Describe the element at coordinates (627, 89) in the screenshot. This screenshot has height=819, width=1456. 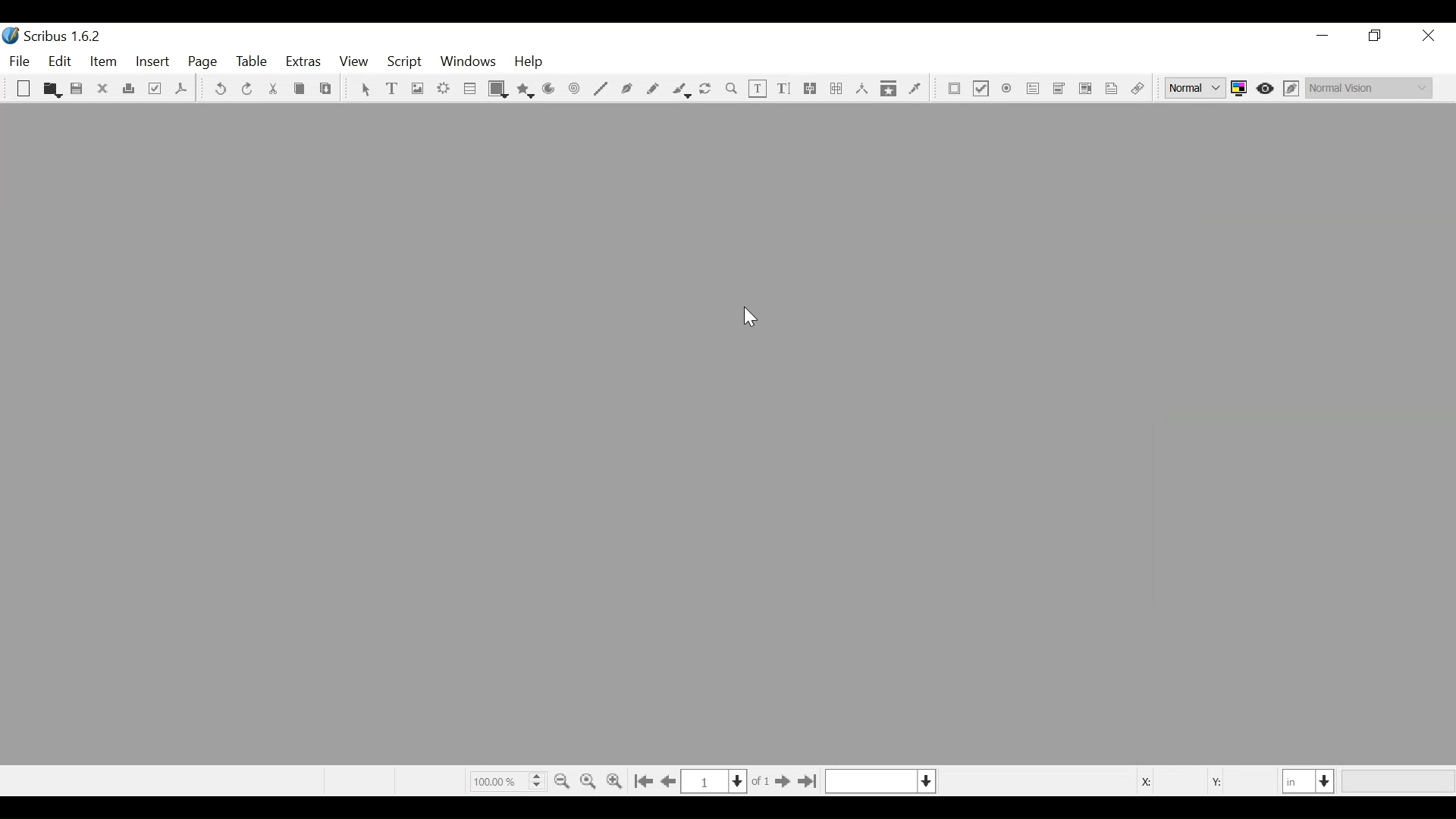
I see `Bezier curve` at that location.